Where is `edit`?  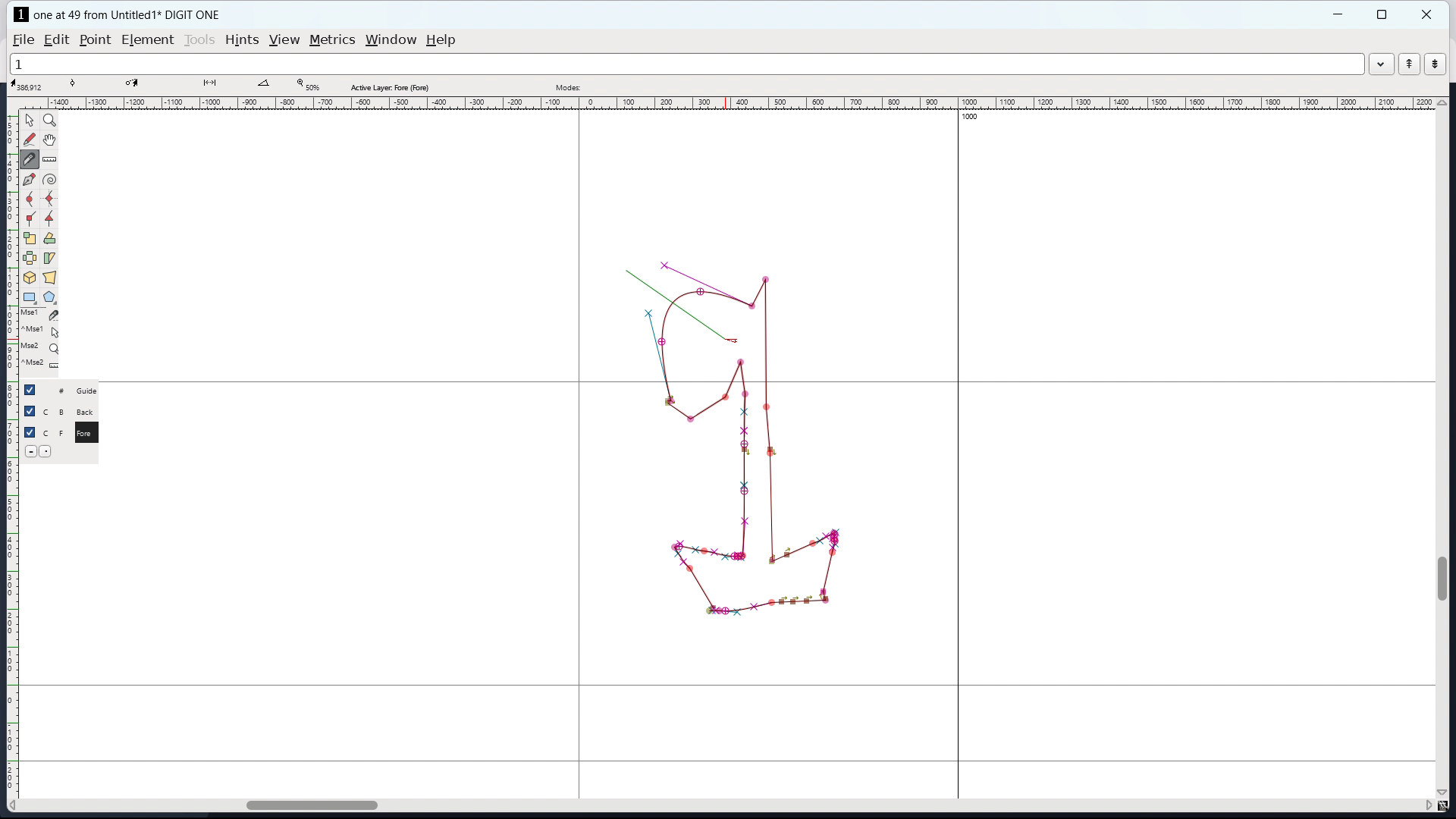
edit is located at coordinates (56, 40).